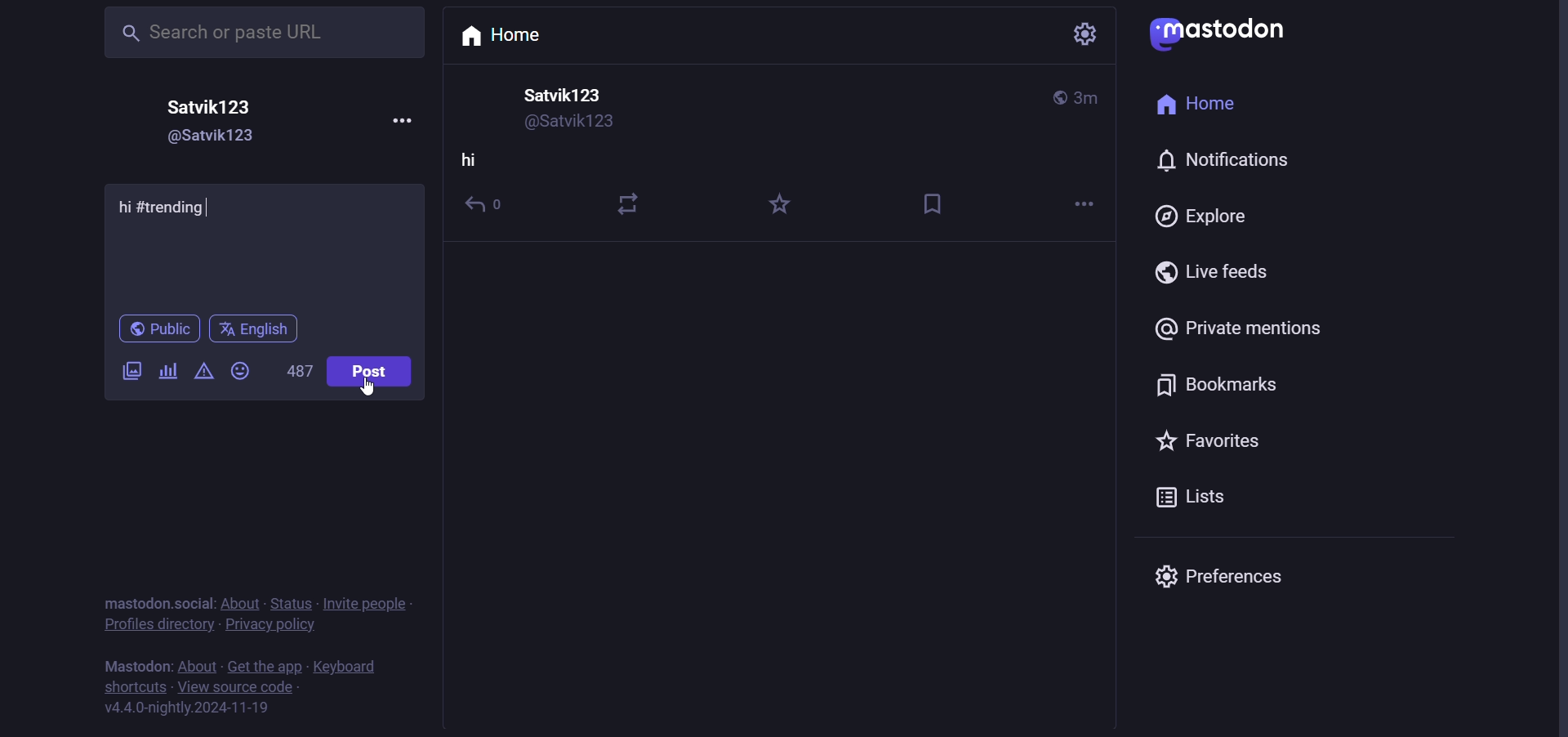 The height and width of the screenshot is (737, 1568). What do you see at coordinates (371, 603) in the screenshot?
I see `invite people` at bounding box center [371, 603].